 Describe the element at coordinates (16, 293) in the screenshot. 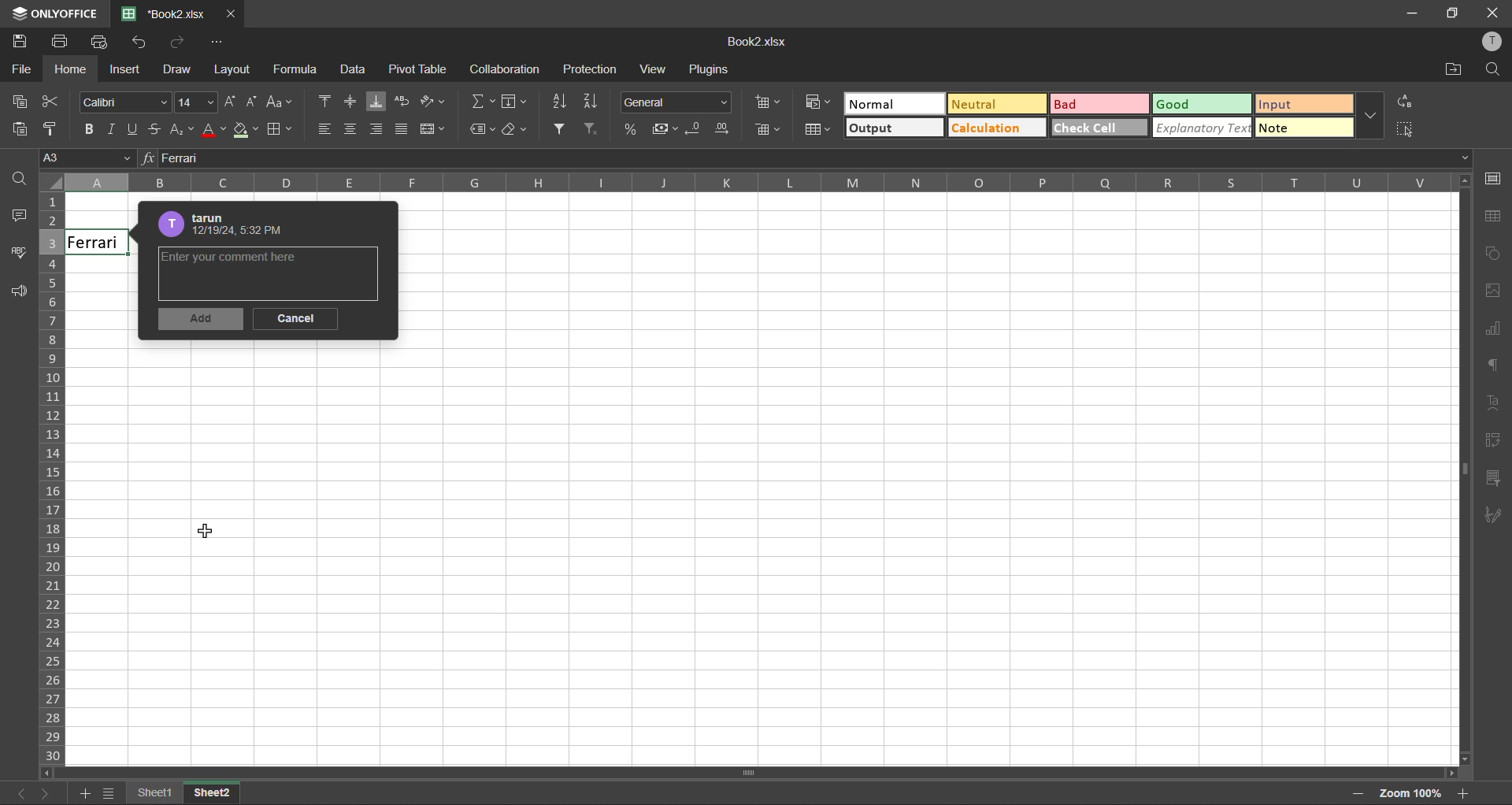

I see `feedback` at that location.